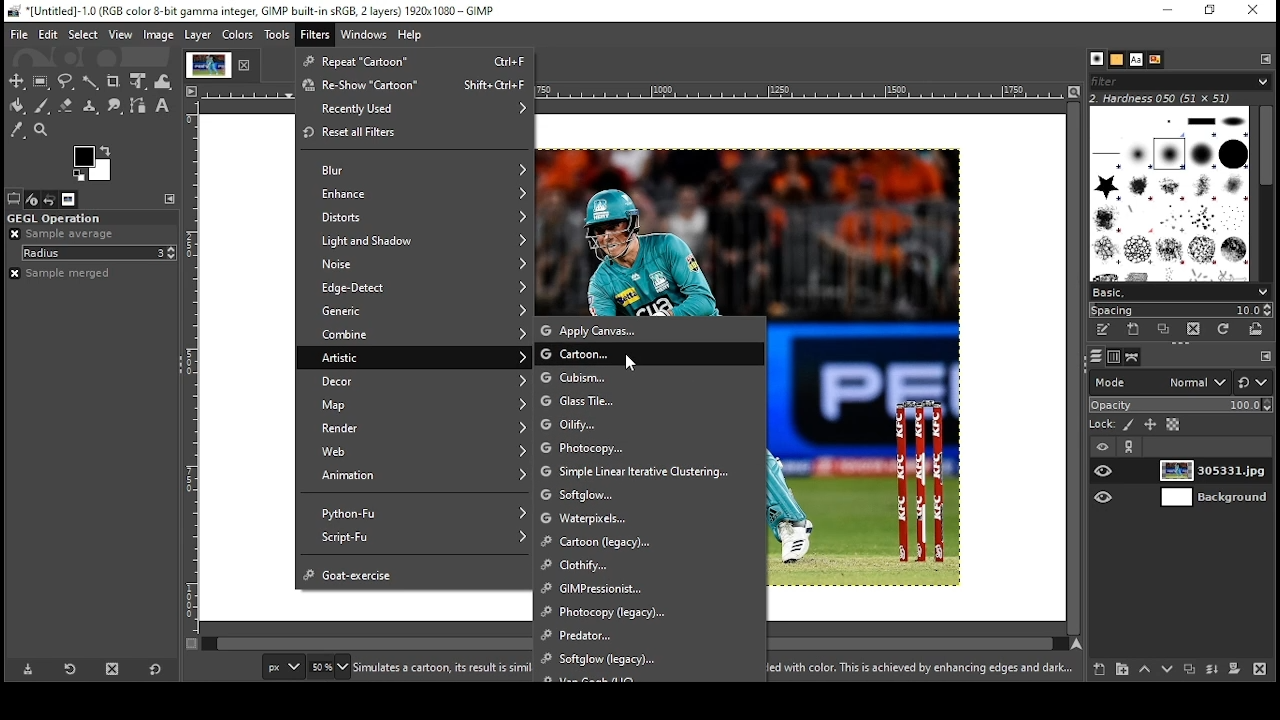 The height and width of the screenshot is (720, 1280). Describe the element at coordinates (645, 658) in the screenshot. I see `softglow` at that location.